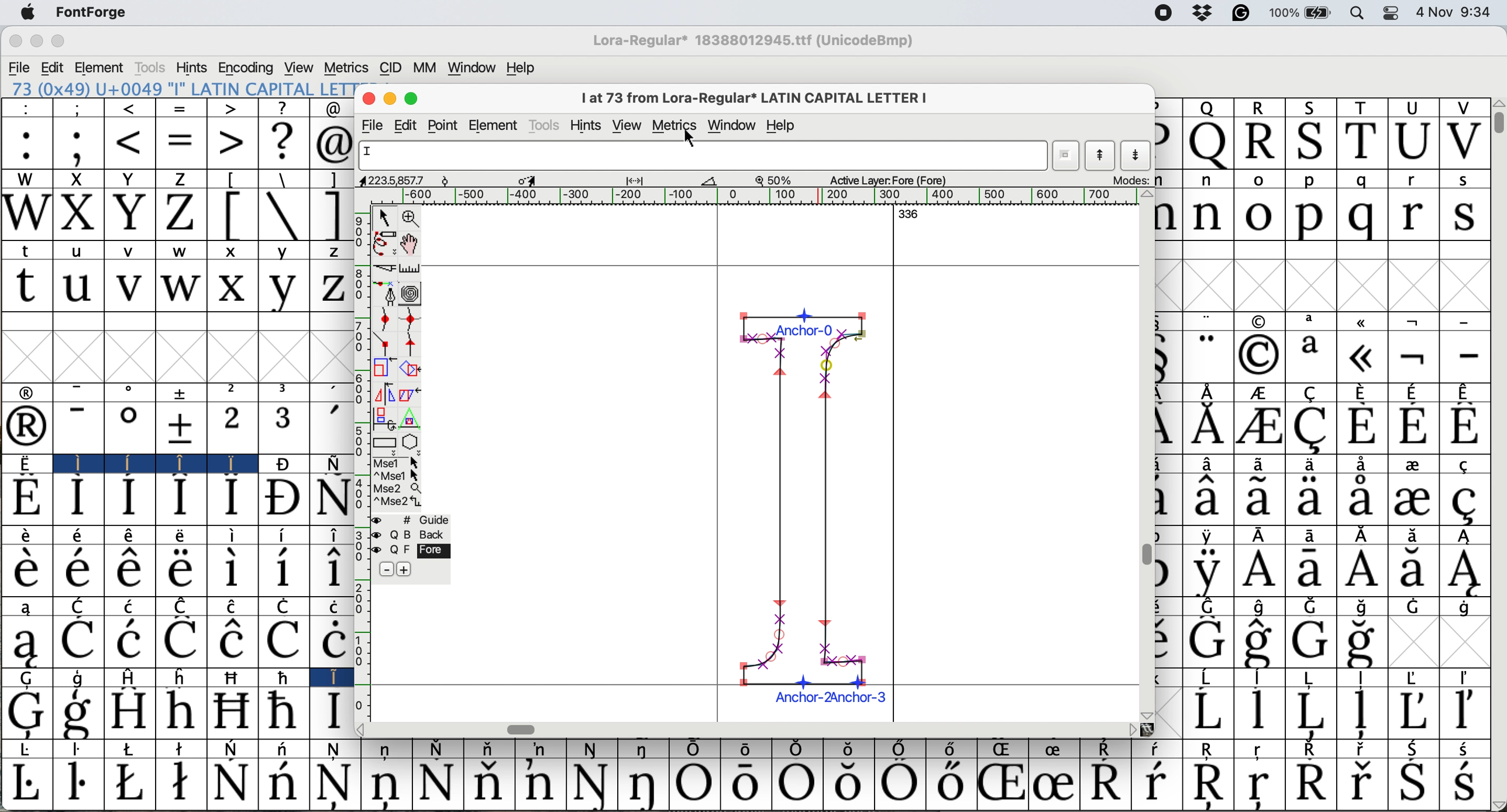  Describe the element at coordinates (332, 109) in the screenshot. I see `@` at that location.